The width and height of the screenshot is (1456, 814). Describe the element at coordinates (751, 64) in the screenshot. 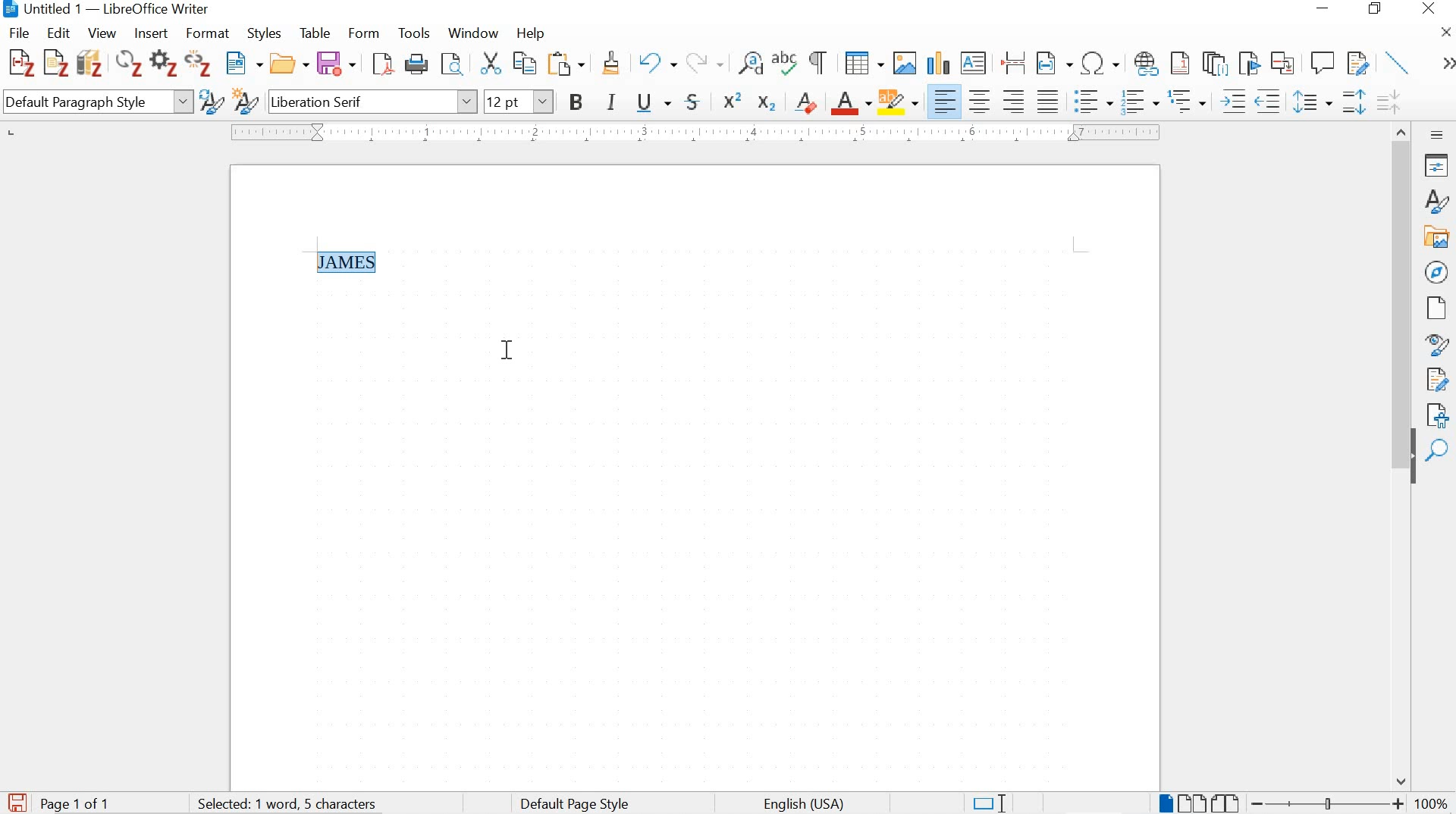

I see `find and replace` at that location.